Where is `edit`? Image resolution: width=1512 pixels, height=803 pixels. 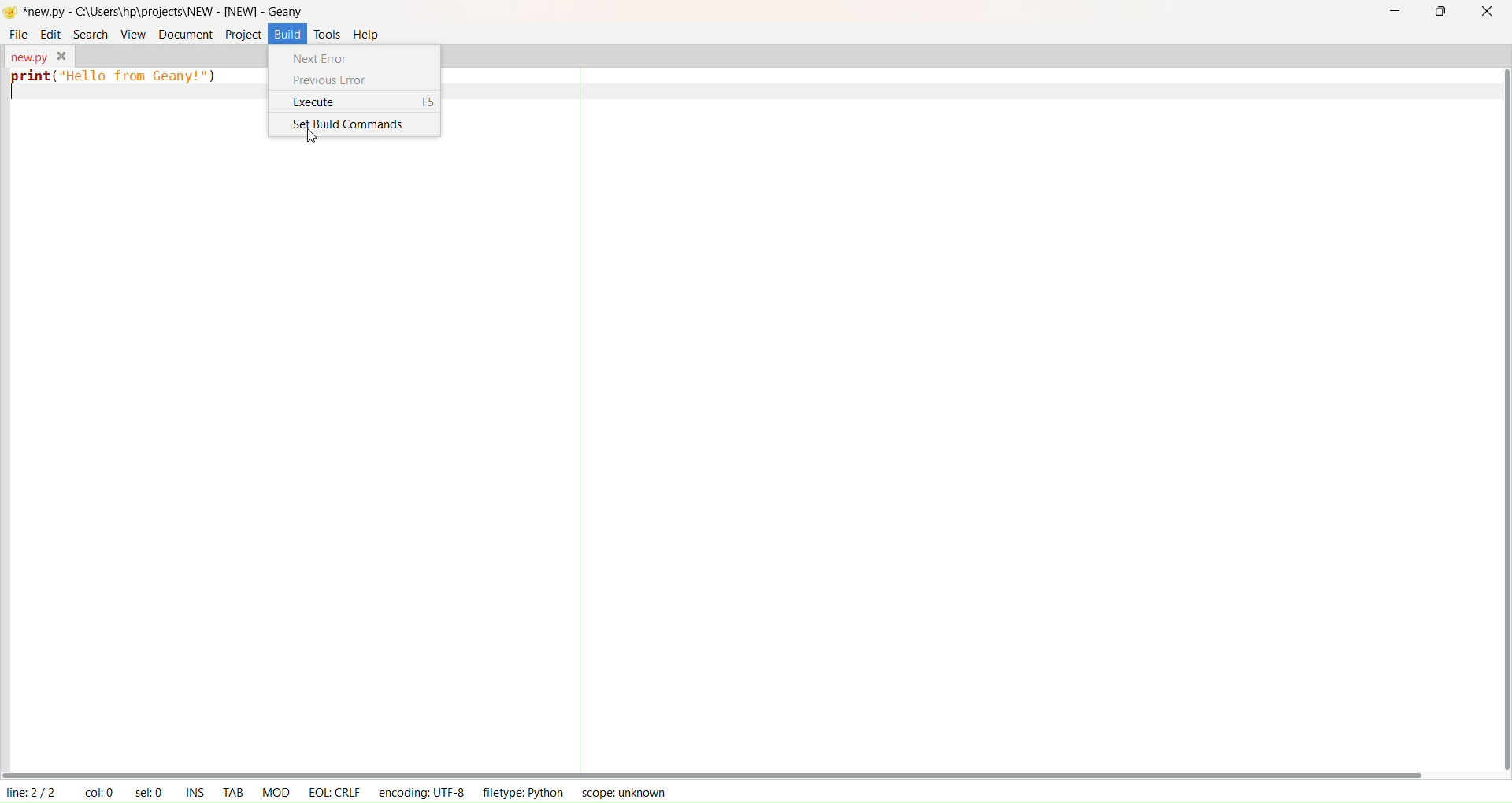 edit is located at coordinates (51, 33).